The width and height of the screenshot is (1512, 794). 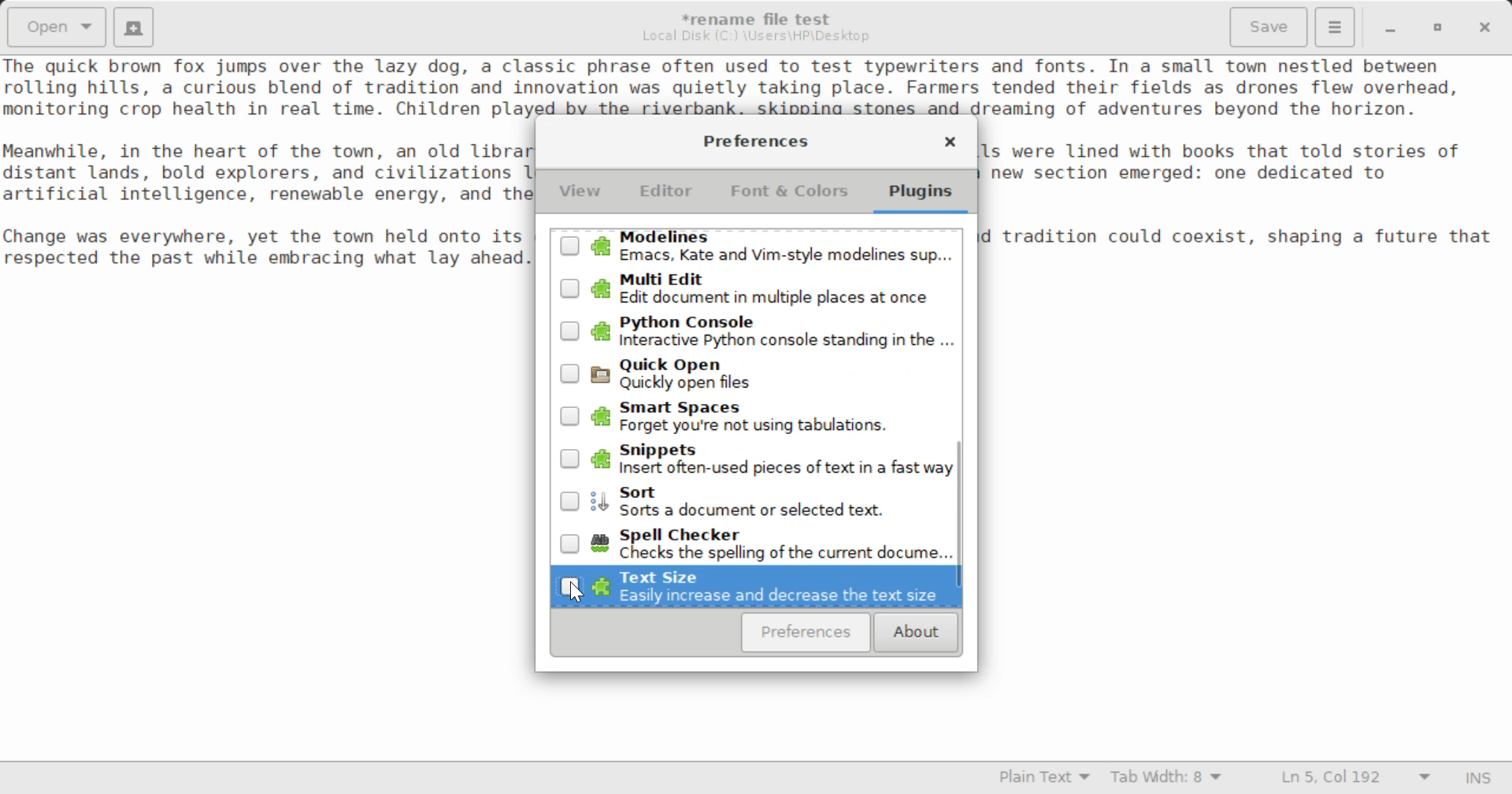 I want to click on Minimize, so click(x=1438, y=28).